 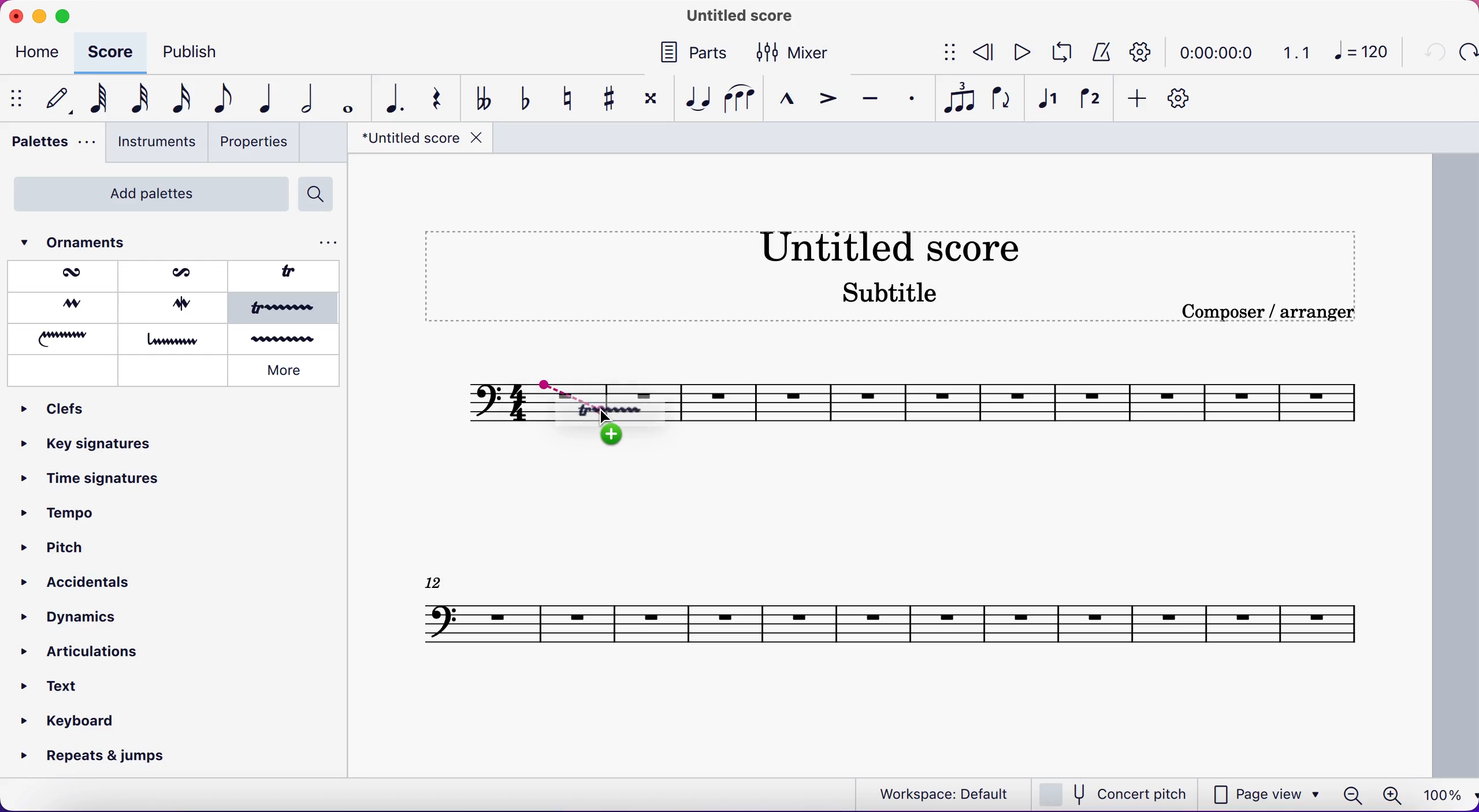 What do you see at coordinates (649, 102) in the screenshot?
I see `toggle double sharp` at bounding box center [649, 102].